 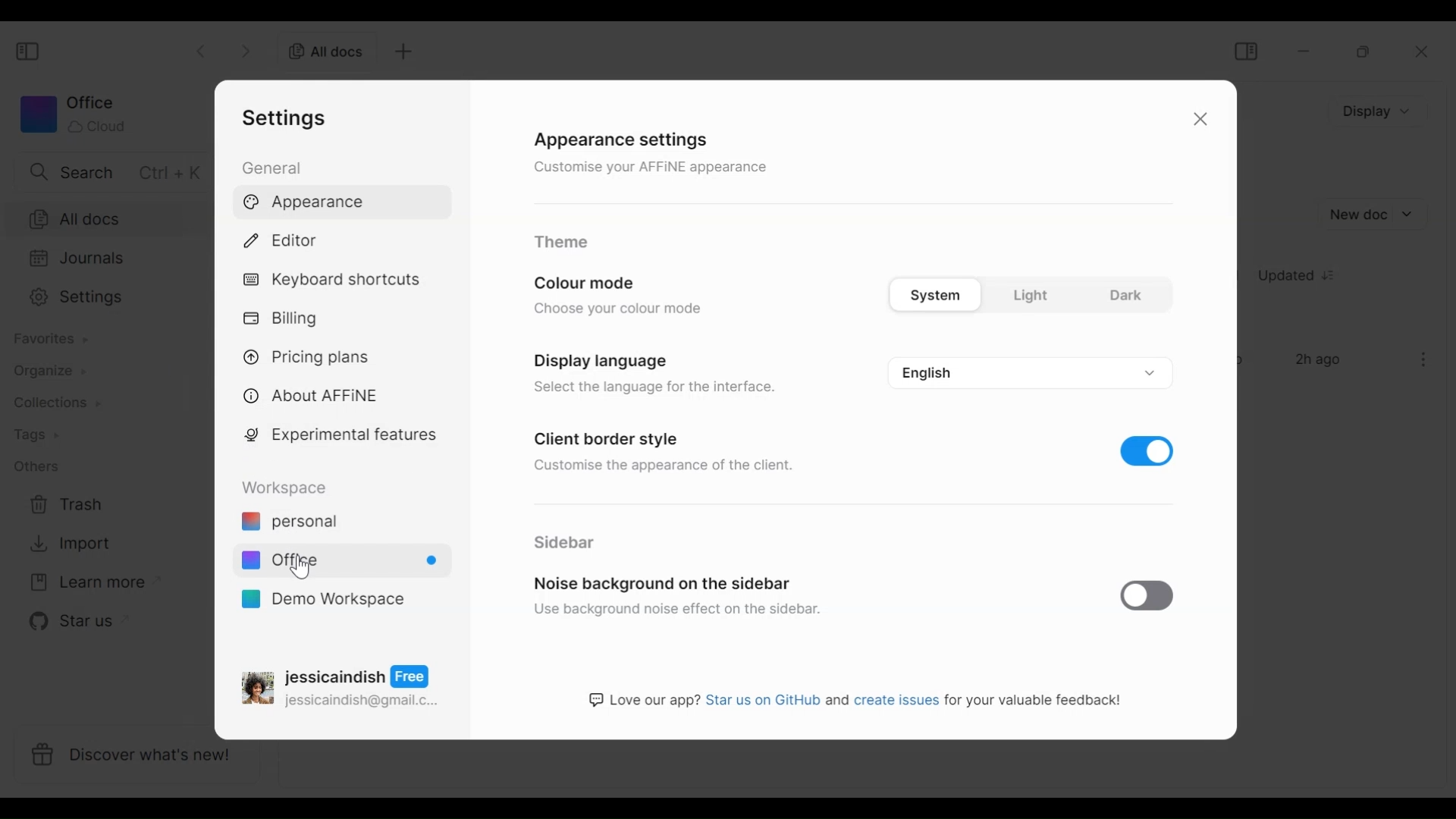 I want to click on Tags, so click(x=36, y=436).